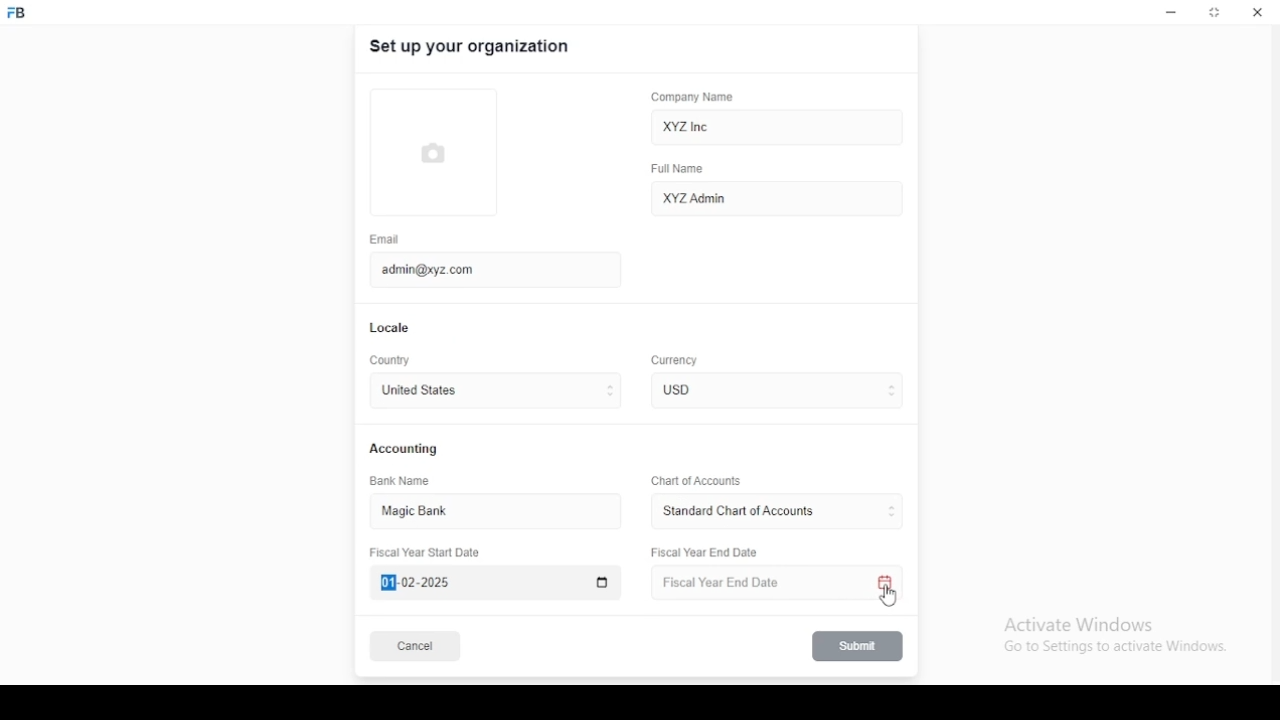  Describe the element at coordinates (706, 552) in the screenshot. I see `Fiscal Year End Date` at that location.